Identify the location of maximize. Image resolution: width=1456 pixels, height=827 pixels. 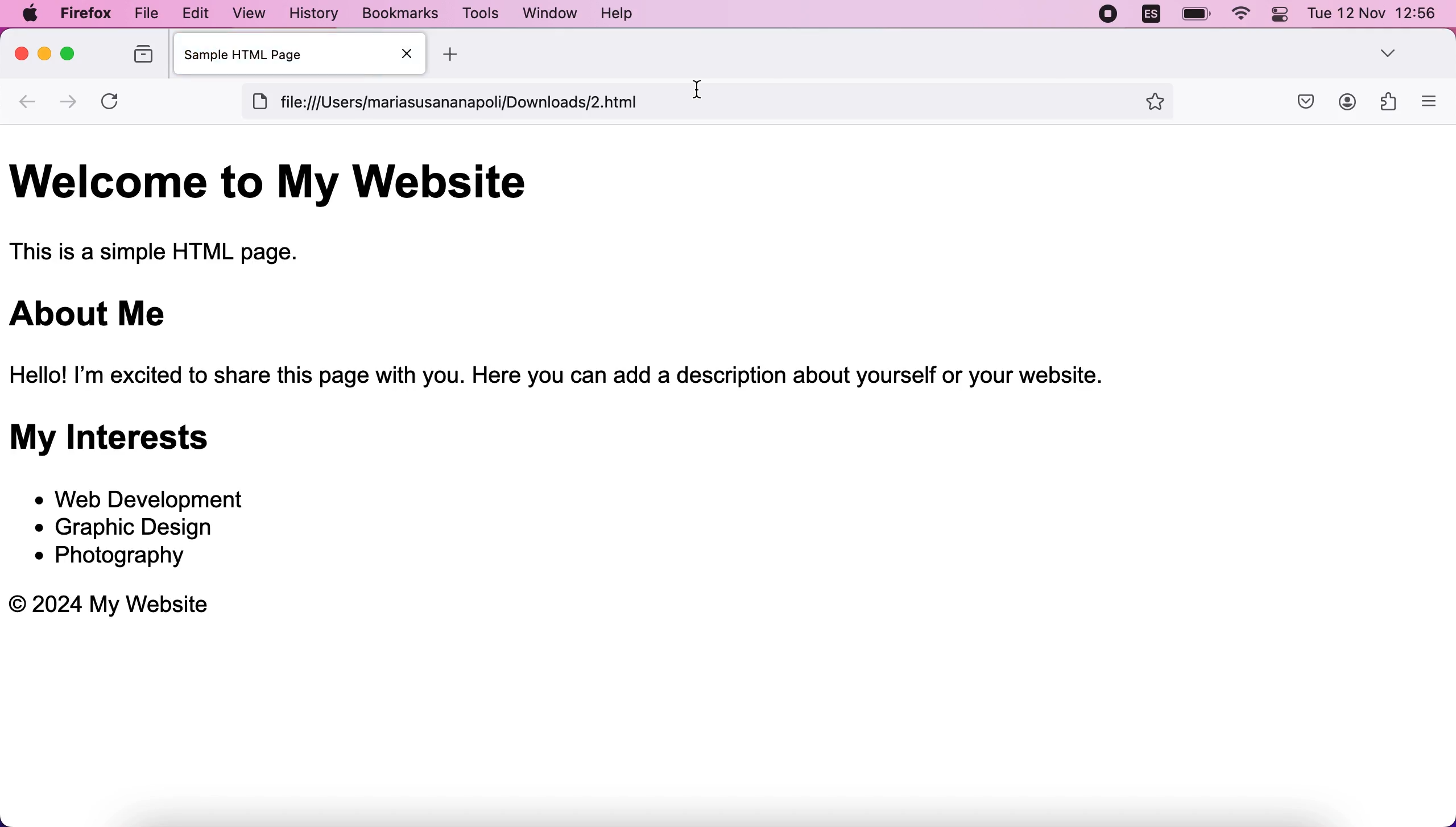
(74, 57).